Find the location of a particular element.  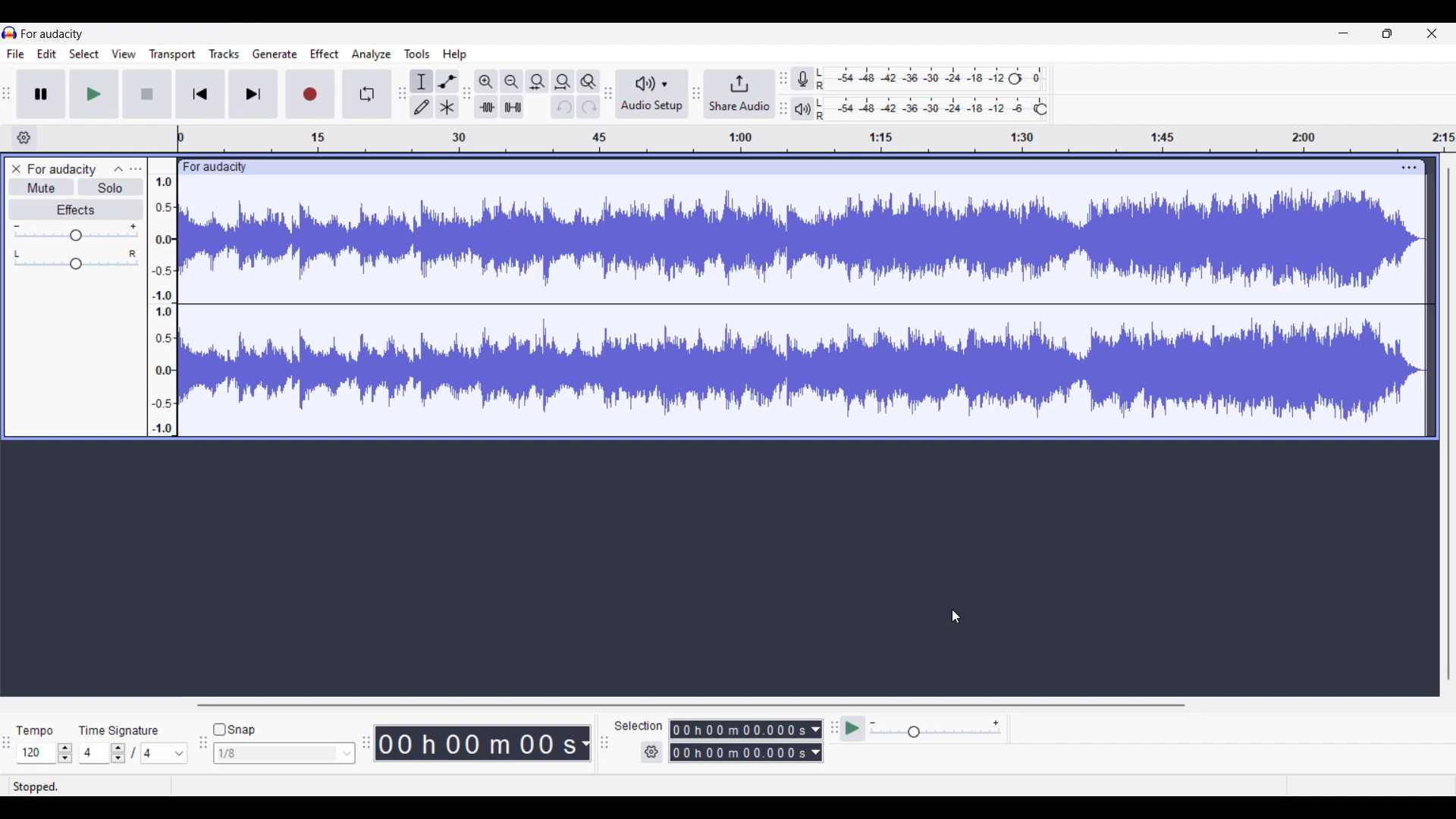

Increase/Decrease time signature is located at coordinates (118, 753).